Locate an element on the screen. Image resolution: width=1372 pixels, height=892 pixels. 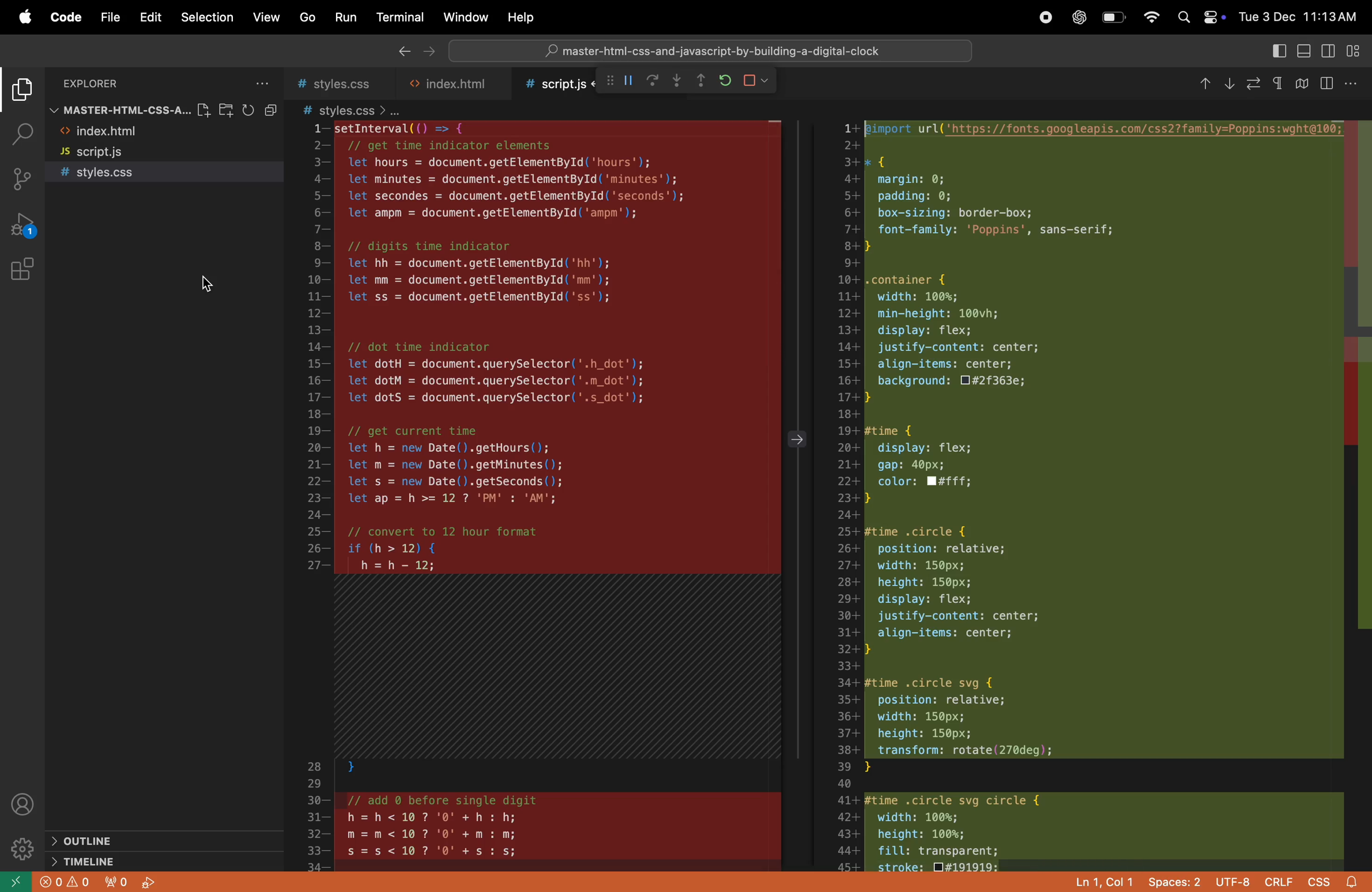
new file is located at coordinates (198, 108).